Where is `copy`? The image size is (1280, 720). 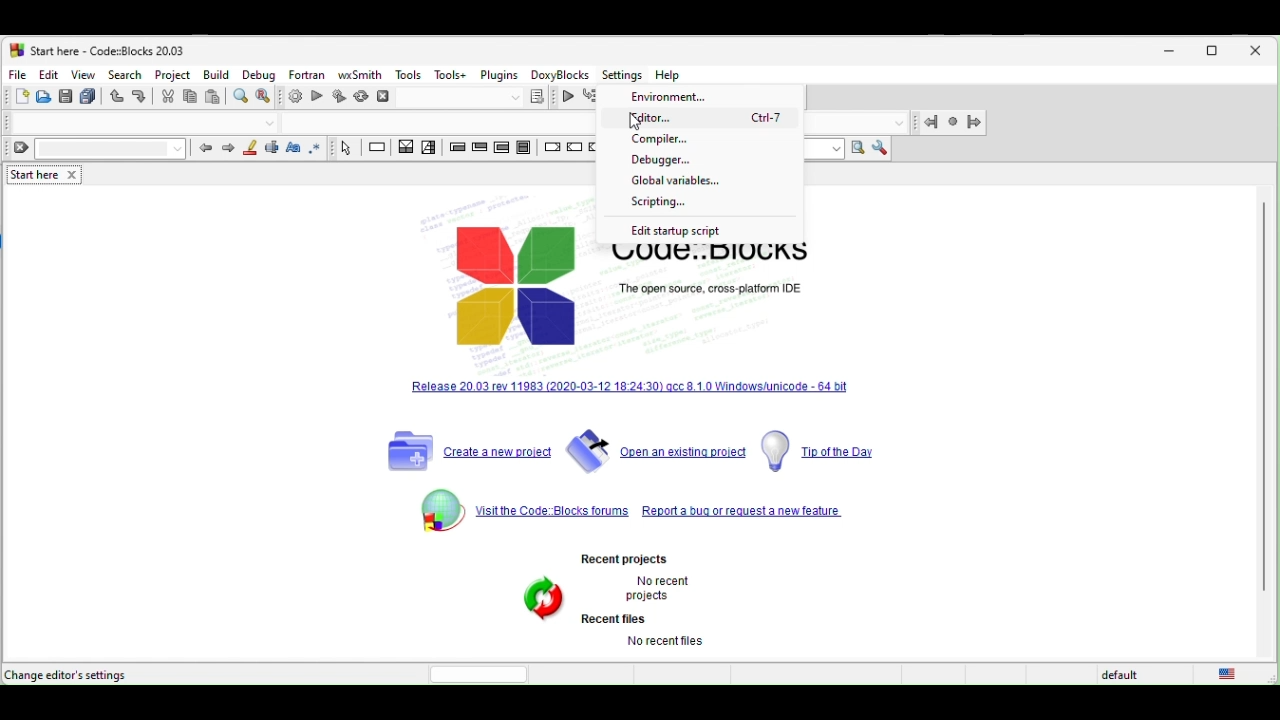
copy is located at coordinates (191, 98).